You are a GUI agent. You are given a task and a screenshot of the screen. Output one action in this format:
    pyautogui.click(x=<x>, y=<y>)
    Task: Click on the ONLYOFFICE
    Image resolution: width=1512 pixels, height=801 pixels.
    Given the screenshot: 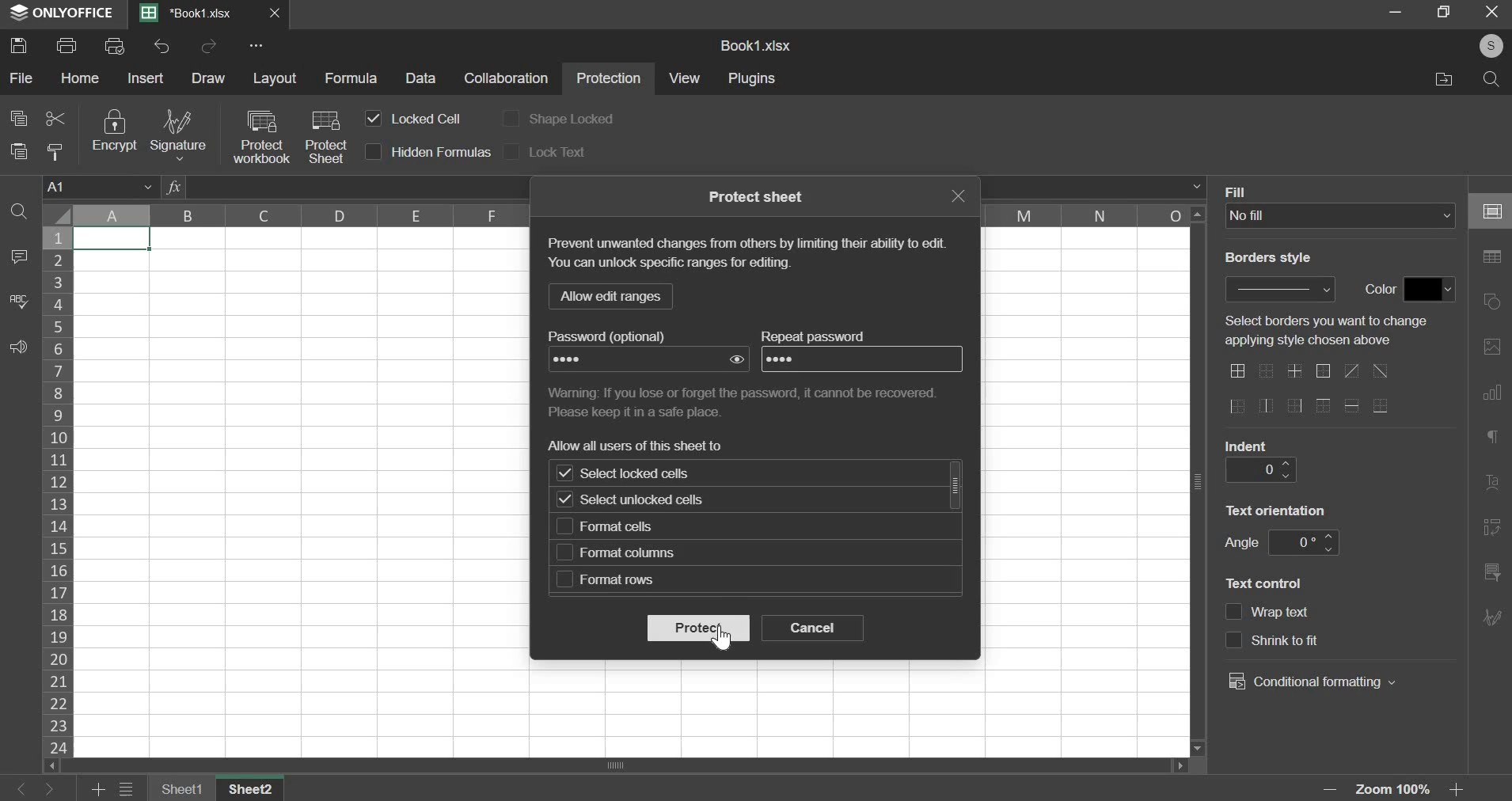 What is the action you would take?
    pyautogui.click(x=59, y=13)
    